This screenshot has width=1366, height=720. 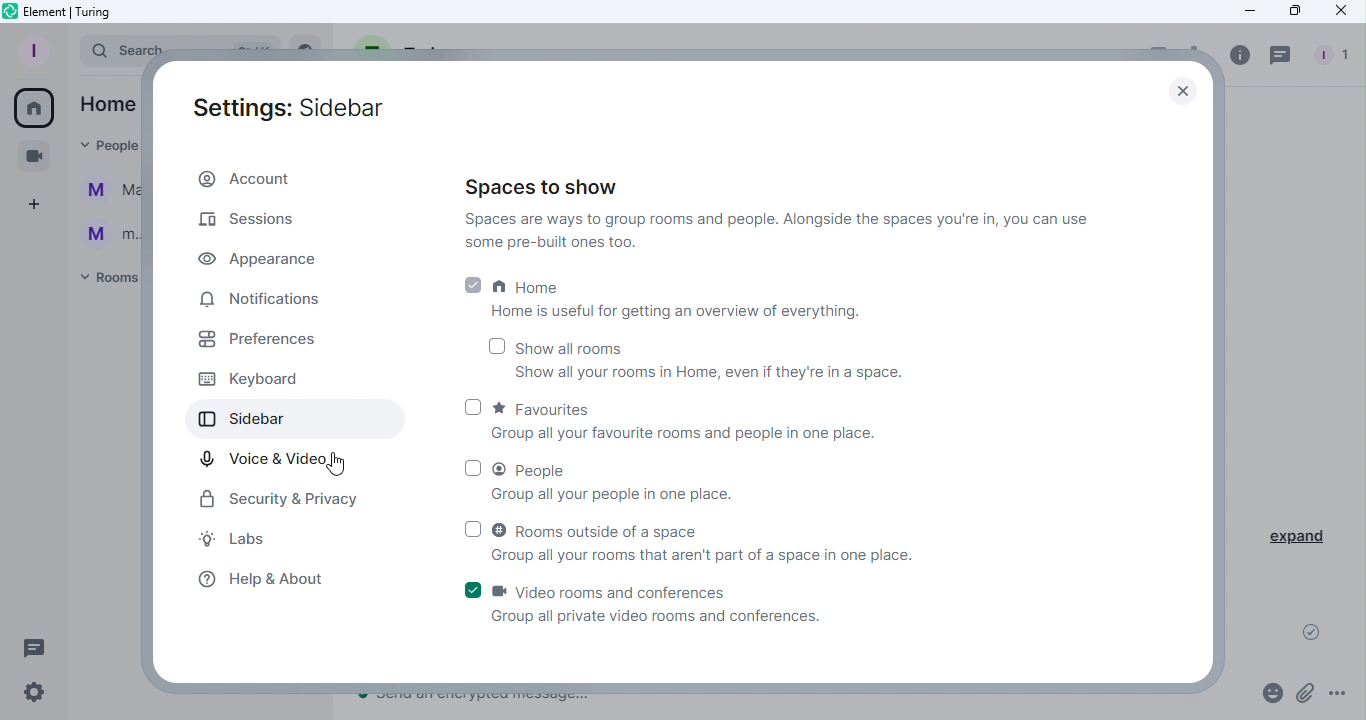 What do you see at coordinates (114, 233) in the screenshot?
I see `m...@t...` at bounding box center [114, 233].